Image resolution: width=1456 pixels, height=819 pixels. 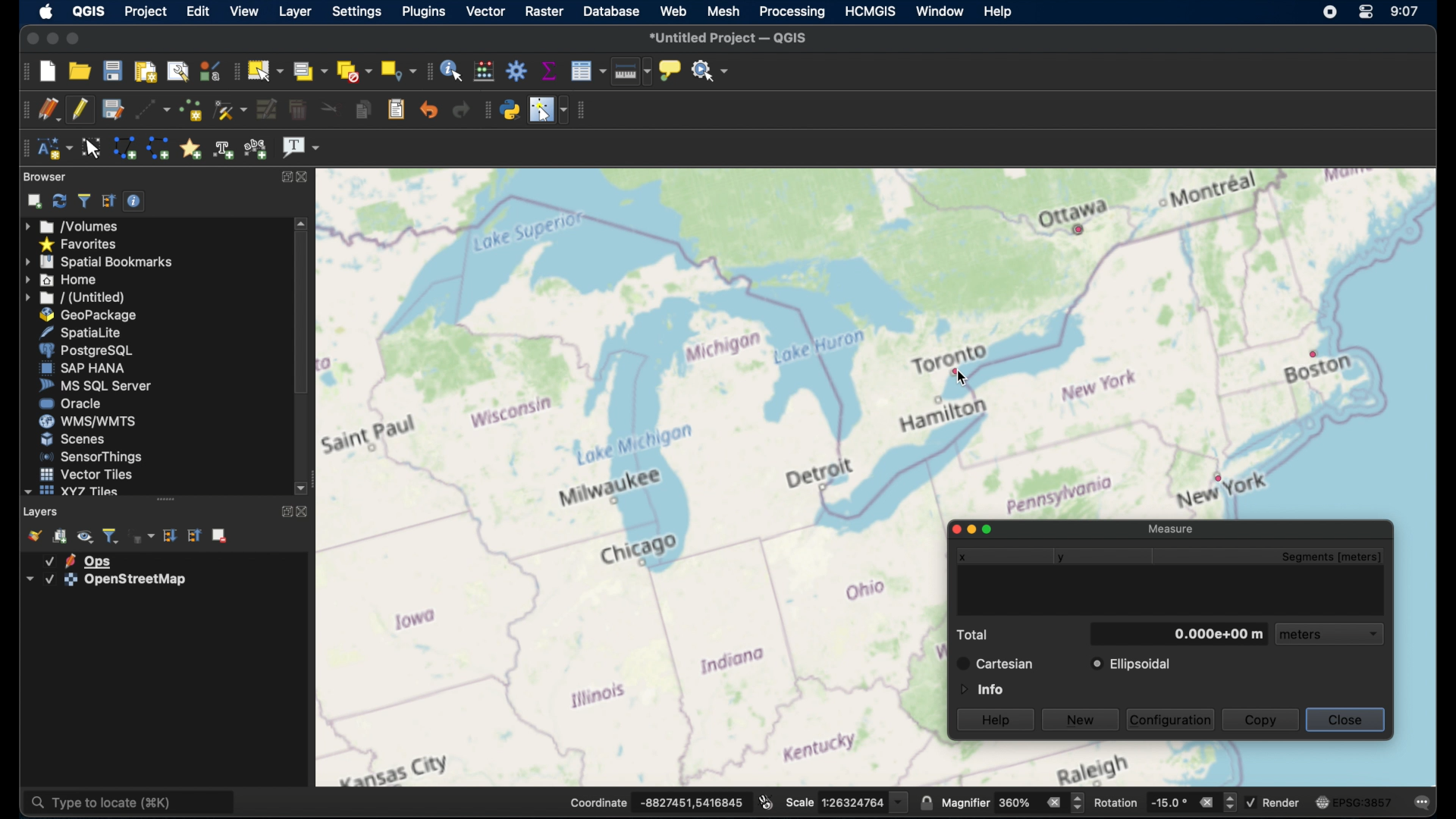 What do you see at coordinates (92, 457) in the screenshot?
I see `sensorthings` at bounding box center [92, 457].